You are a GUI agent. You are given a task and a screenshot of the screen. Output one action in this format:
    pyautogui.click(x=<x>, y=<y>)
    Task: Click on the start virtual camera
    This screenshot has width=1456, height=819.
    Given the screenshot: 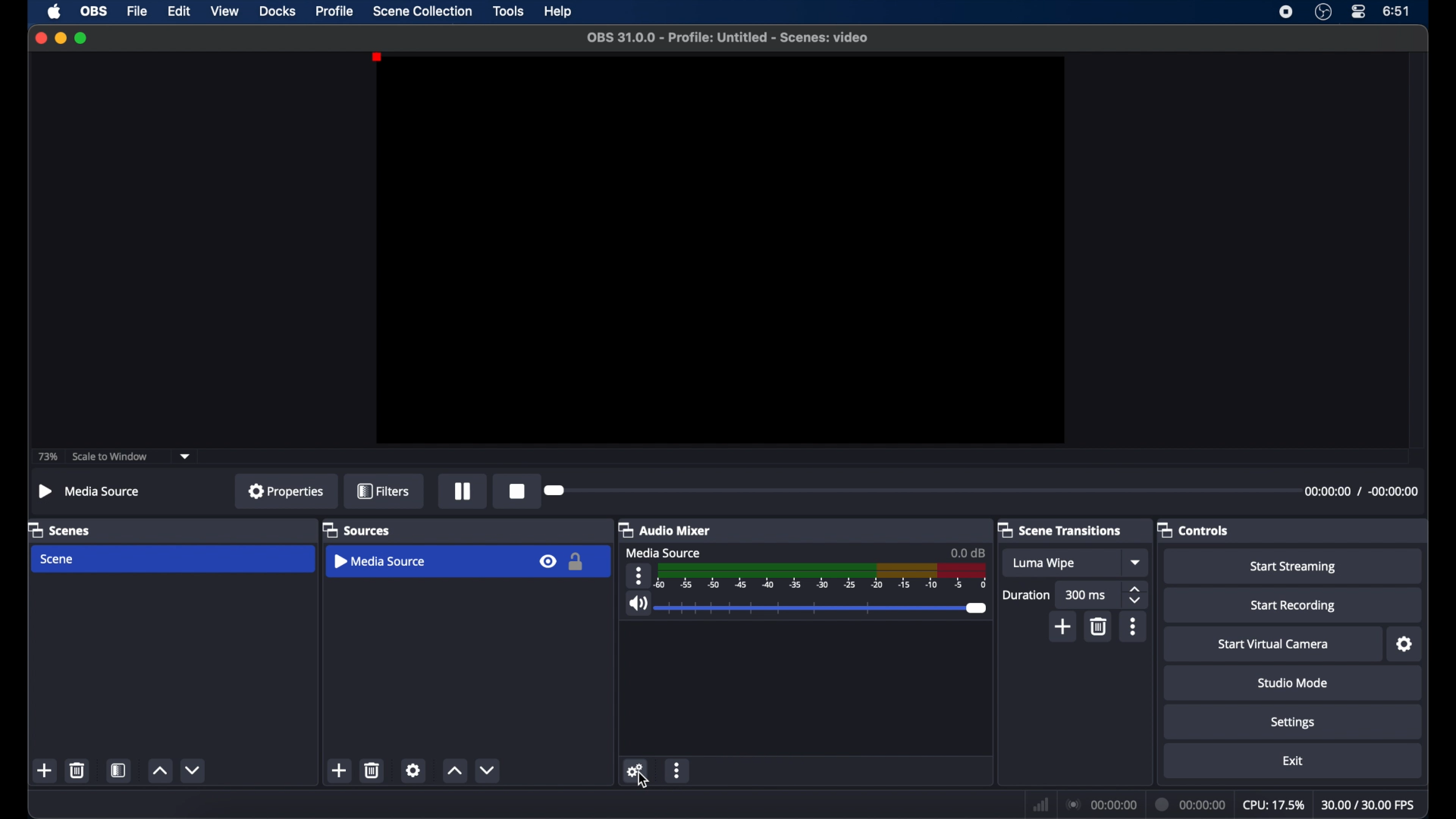 What is the action you would take?
    pyautogui.click(x=1274, y=645)
    